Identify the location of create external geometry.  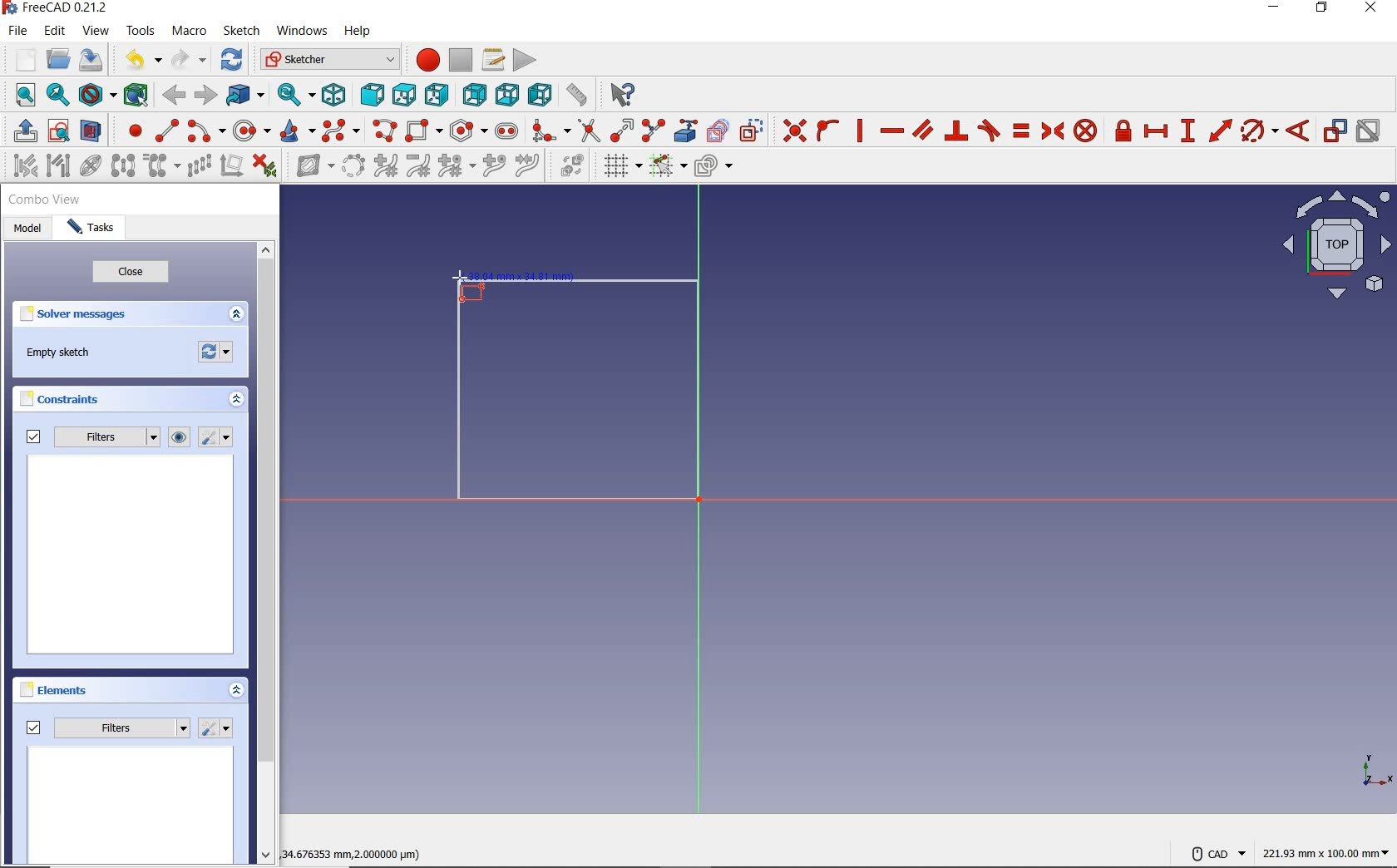
(687, 131).